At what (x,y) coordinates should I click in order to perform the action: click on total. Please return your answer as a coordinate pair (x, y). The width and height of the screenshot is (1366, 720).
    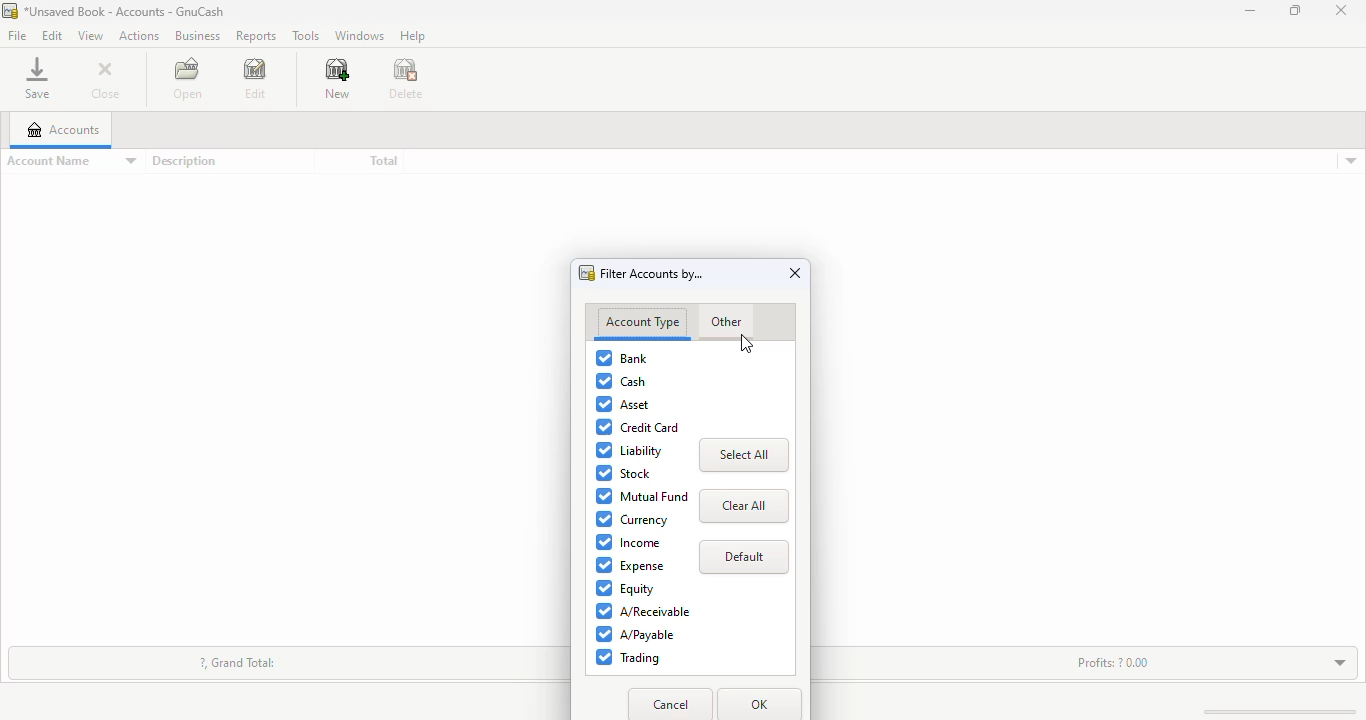
    Looking at the image, I should click on (383, 161).